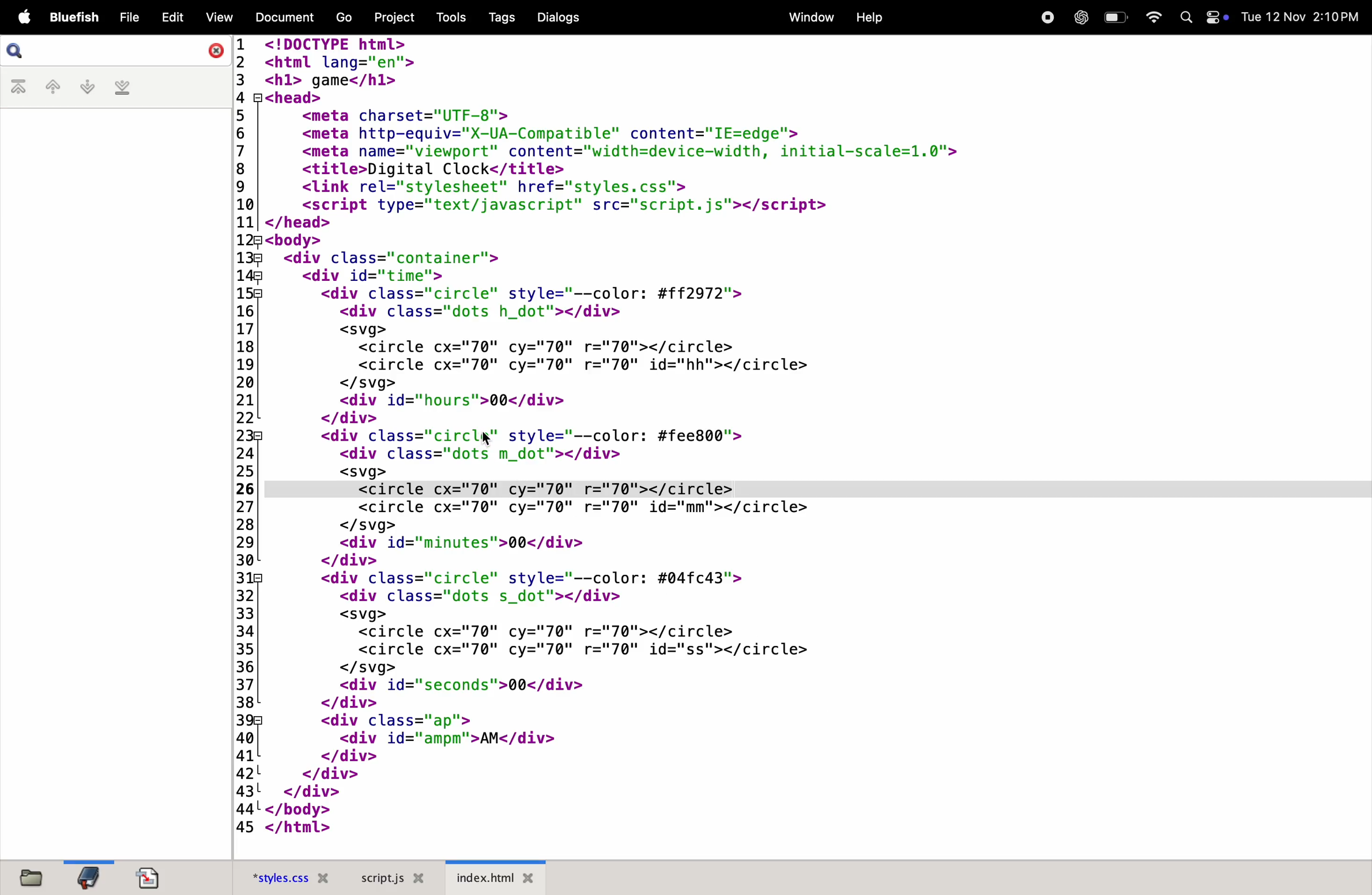 The image size is (1372, 895). What do you see at coordinates (282, 877) in the screenshot?
I see `style.css` at bounding box center [282, 877].